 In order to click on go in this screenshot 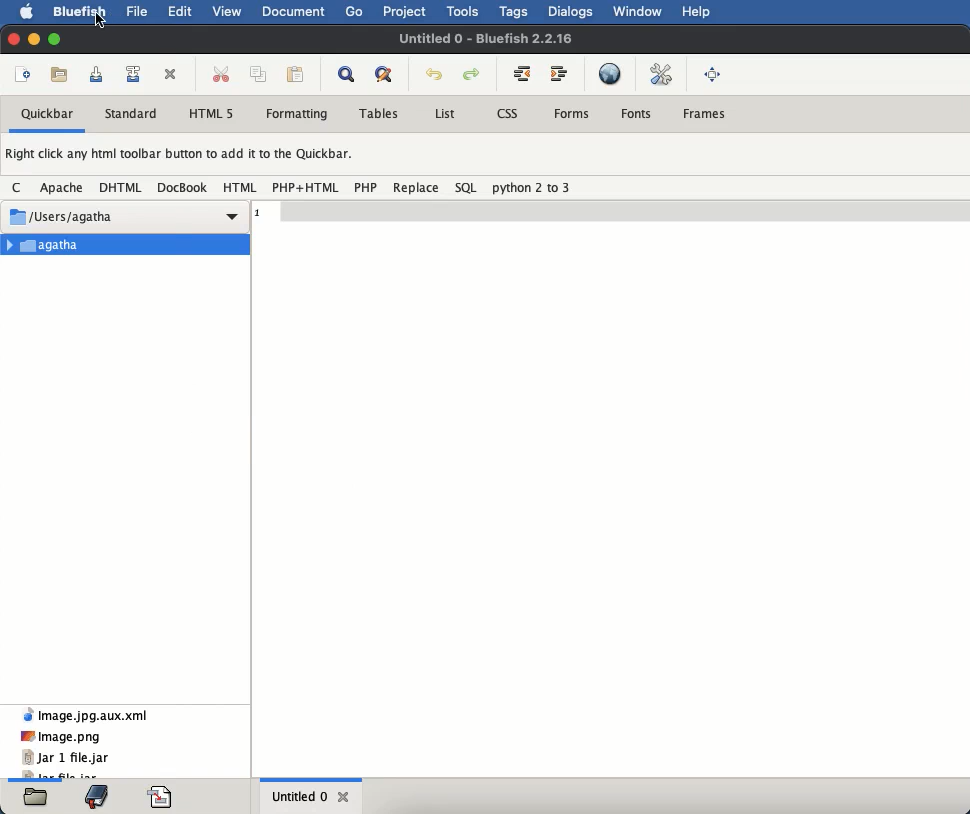, I will do `click(355, 11)`.